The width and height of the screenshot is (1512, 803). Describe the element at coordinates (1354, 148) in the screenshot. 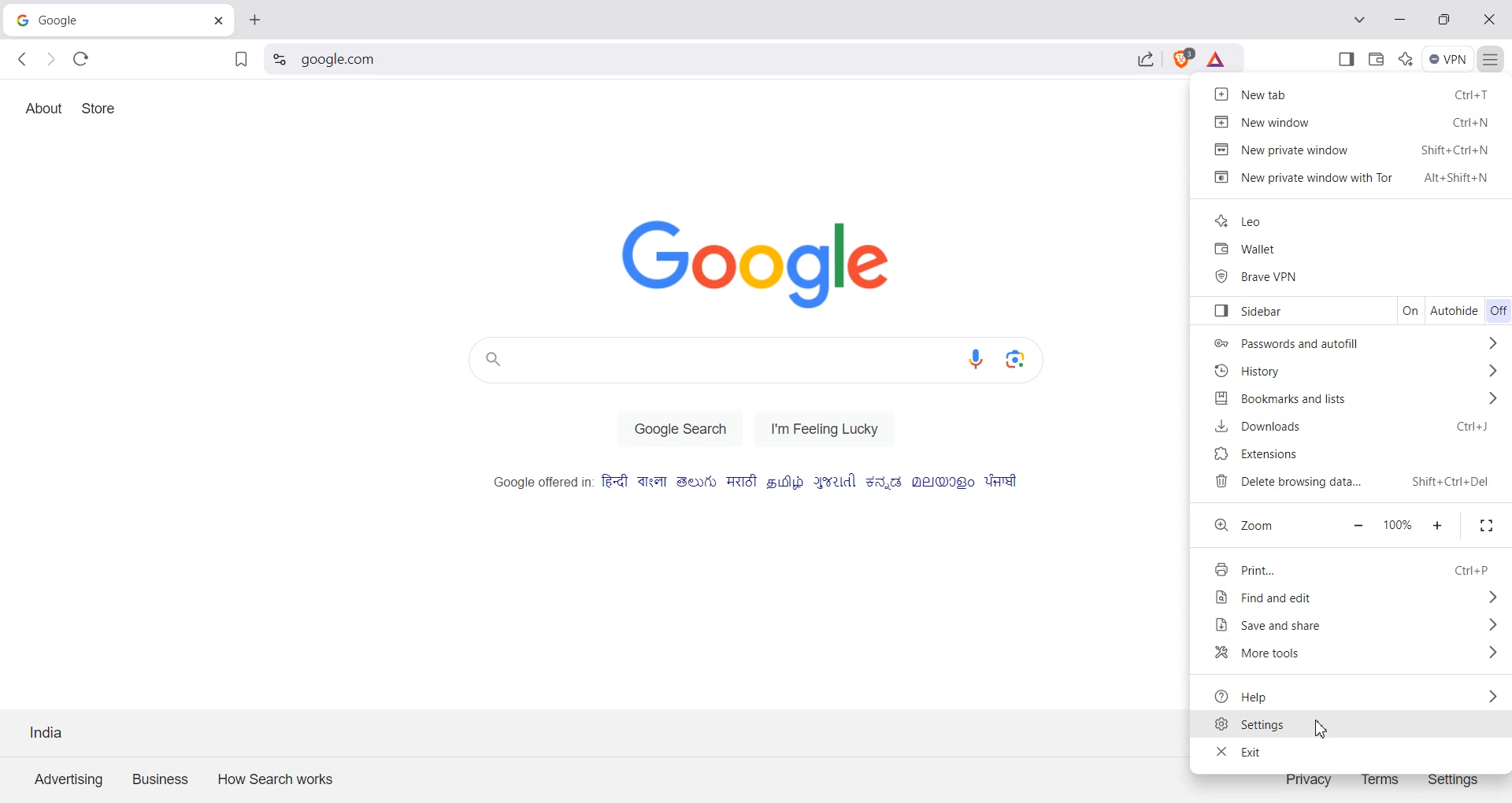

I see `New private window` at that location.